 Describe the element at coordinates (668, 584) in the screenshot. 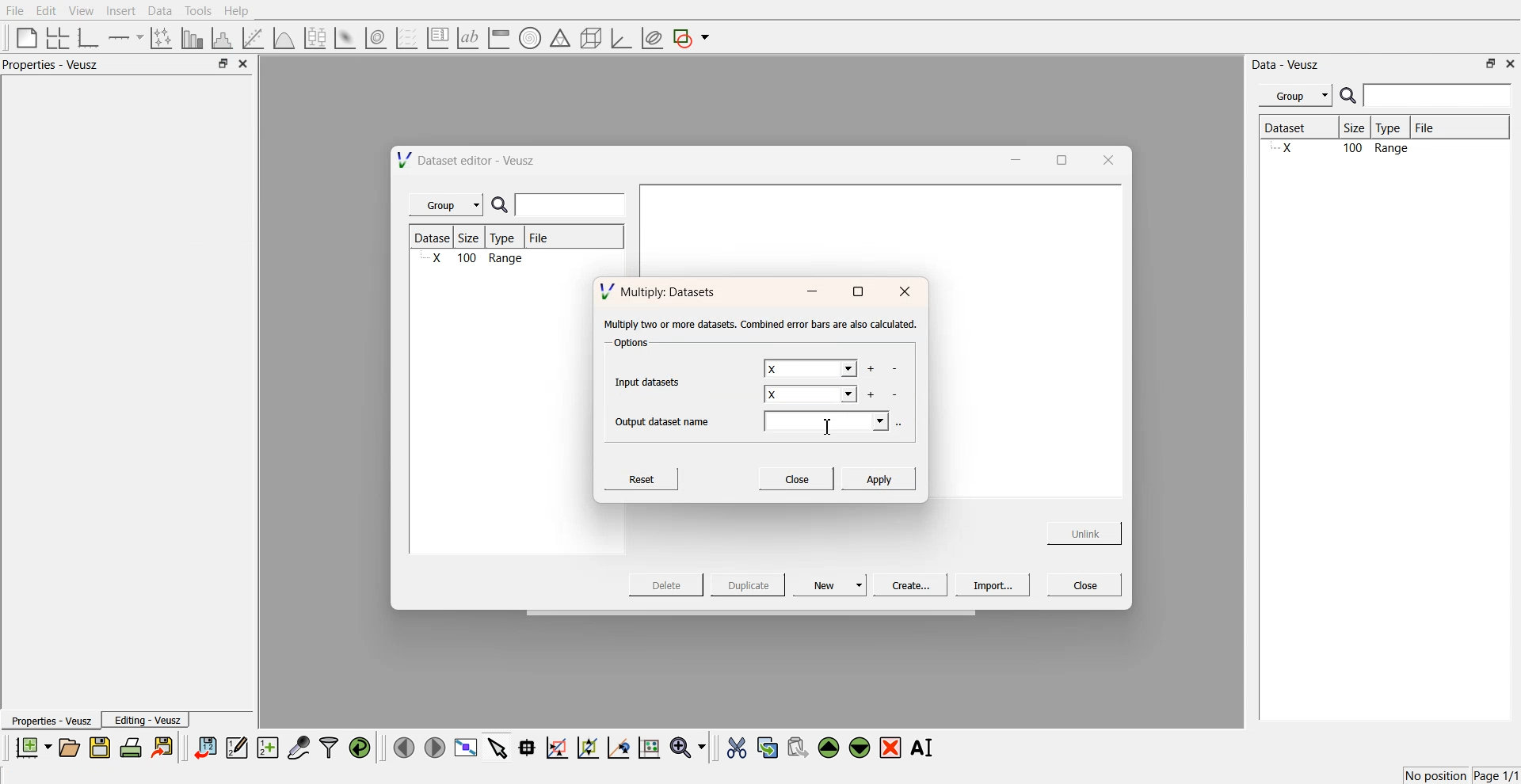

I see `Delete` at that location.